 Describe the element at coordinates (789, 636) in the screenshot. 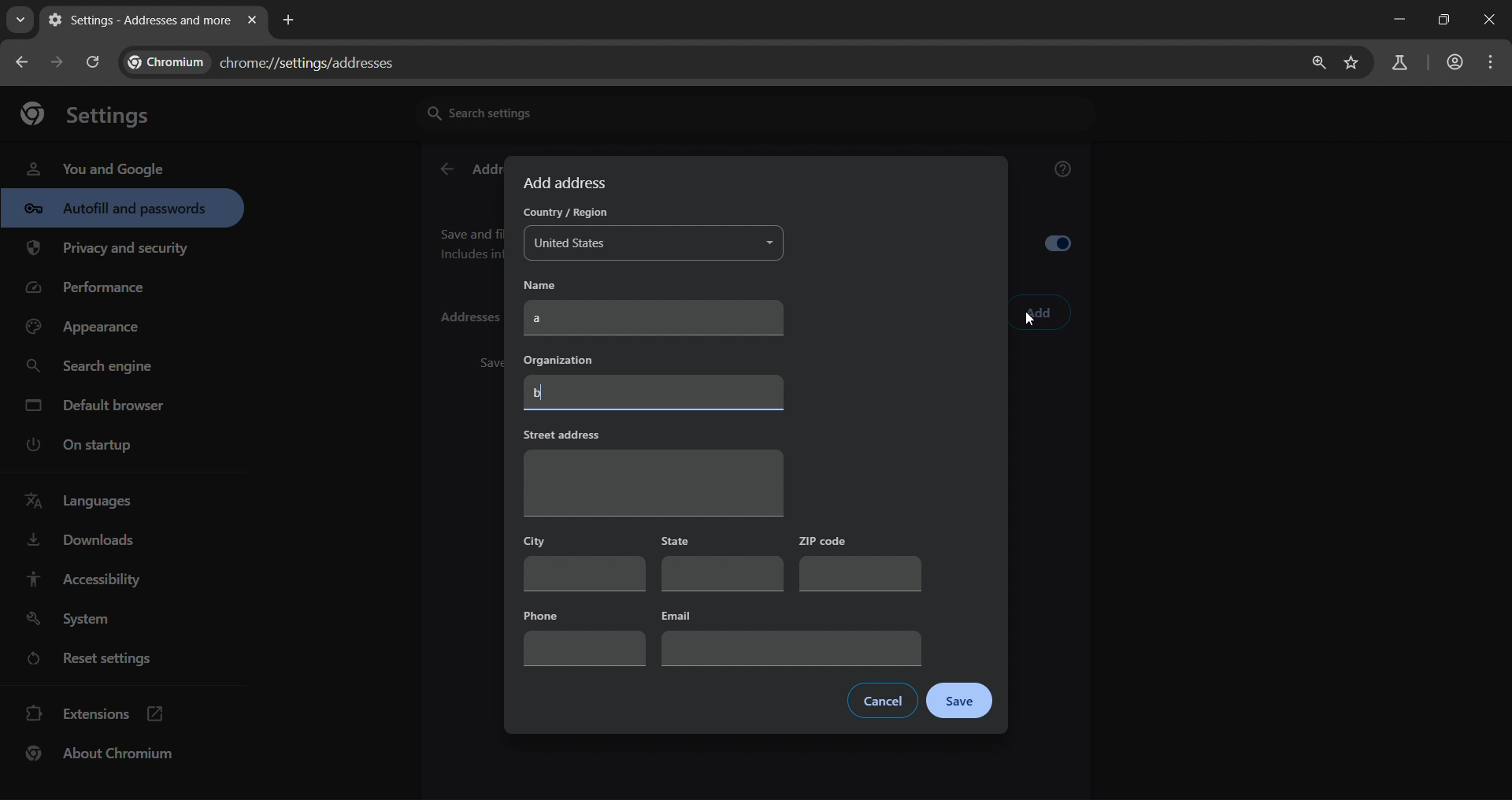

I see `email` at that location.